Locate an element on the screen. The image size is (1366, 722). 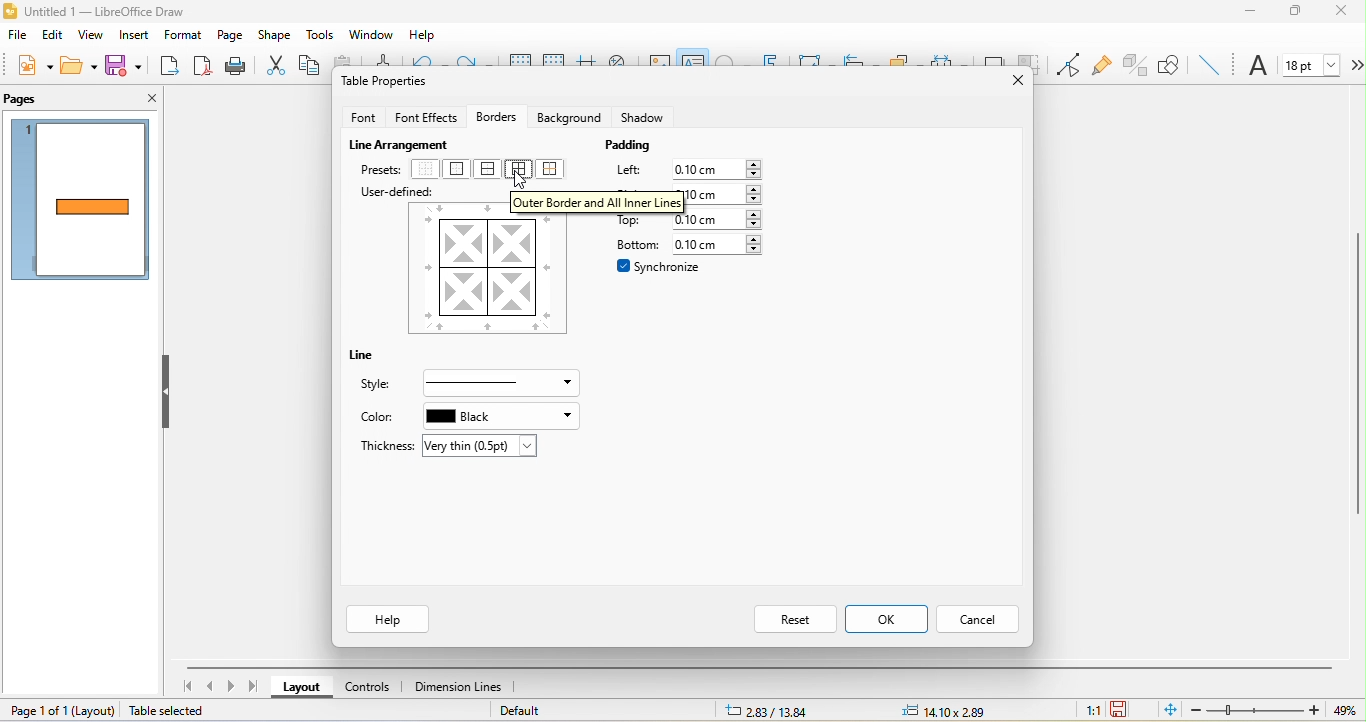
font effects is located at coordinates (426, 114).